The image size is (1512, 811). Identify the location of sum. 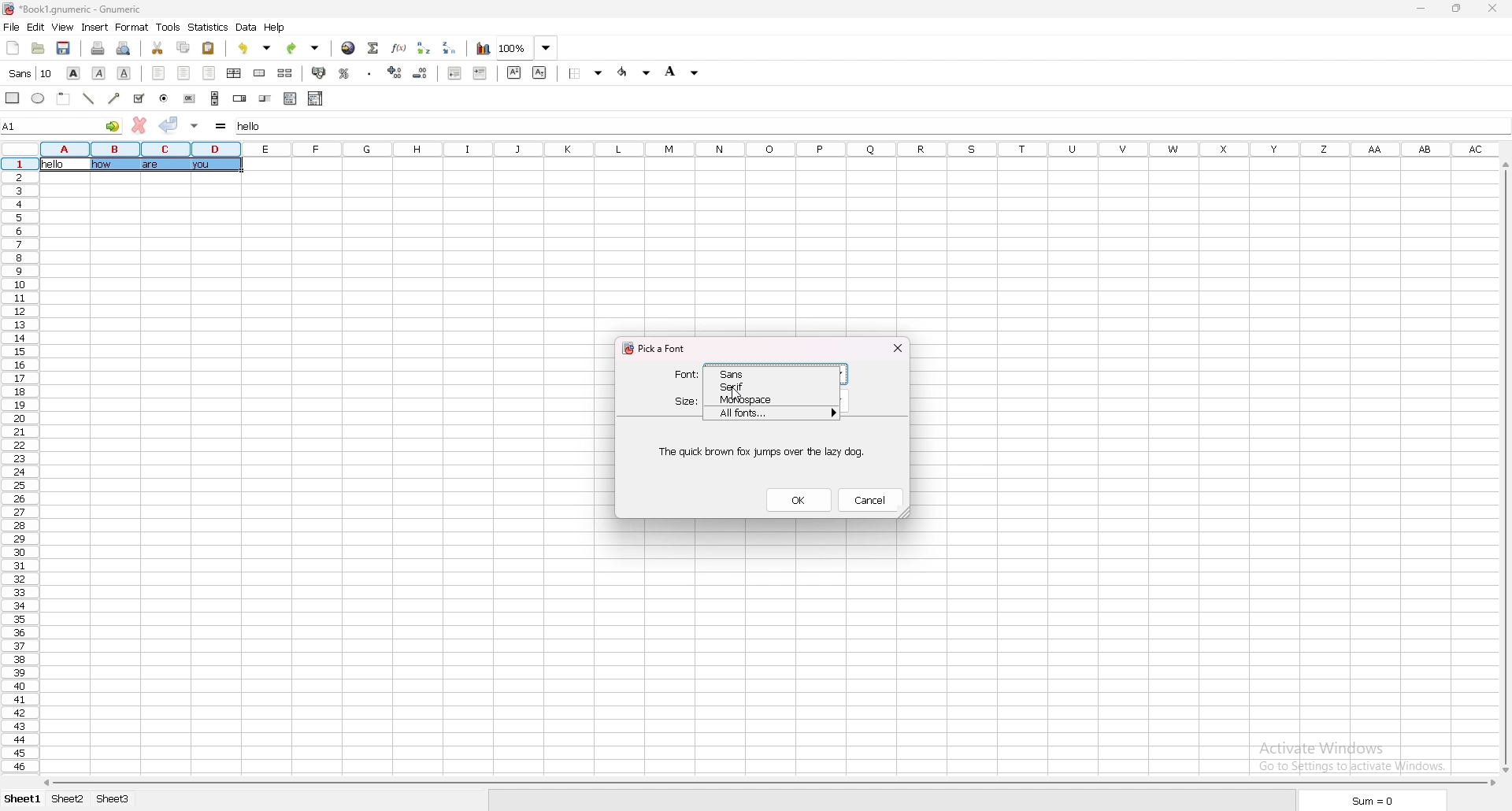
(1371, 802).